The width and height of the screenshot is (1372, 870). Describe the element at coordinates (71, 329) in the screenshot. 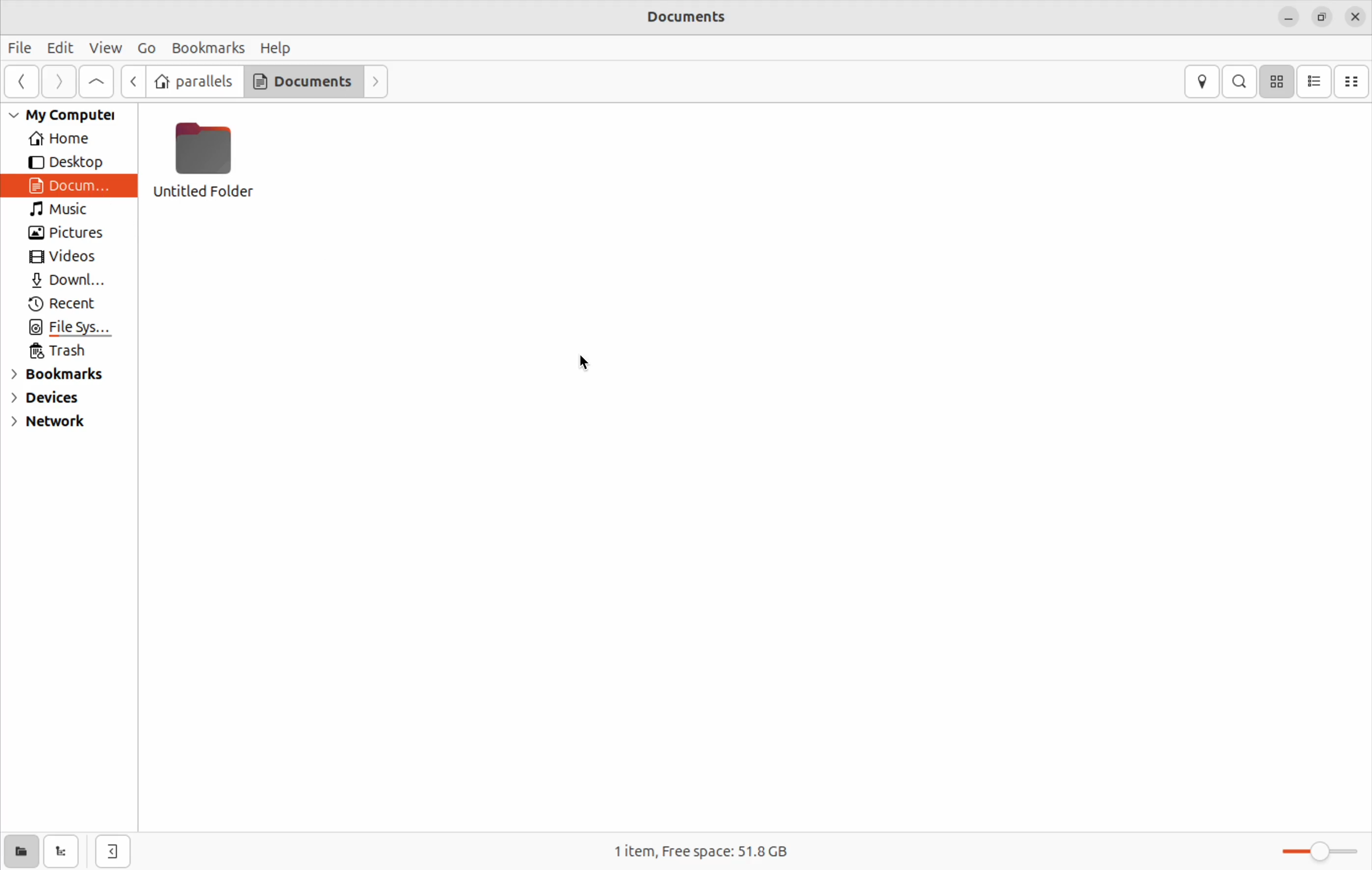

I see `File system` at that location.